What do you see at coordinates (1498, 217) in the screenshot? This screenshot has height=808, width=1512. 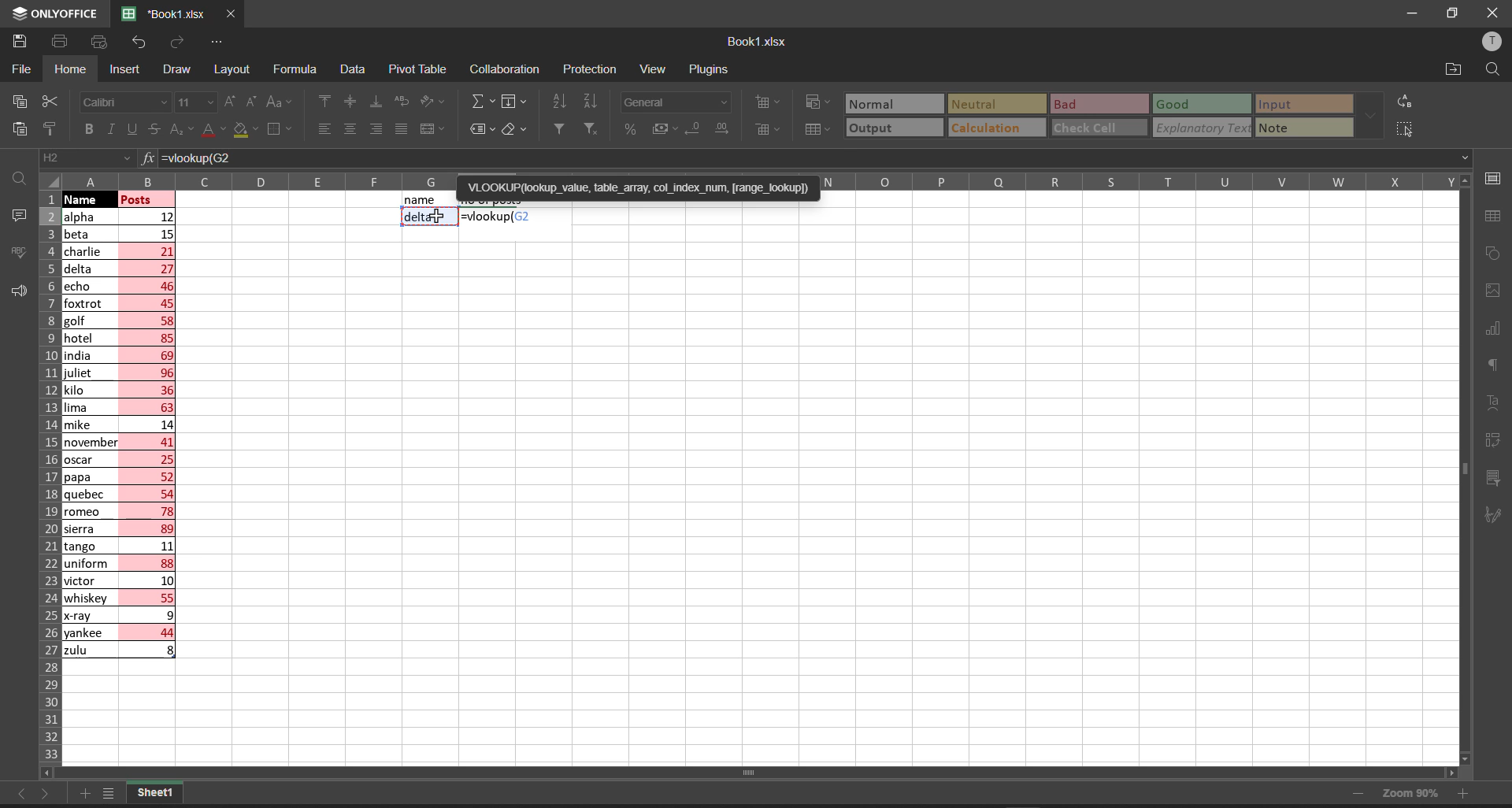 I see `table settings` at bounding box center [1498, 217].